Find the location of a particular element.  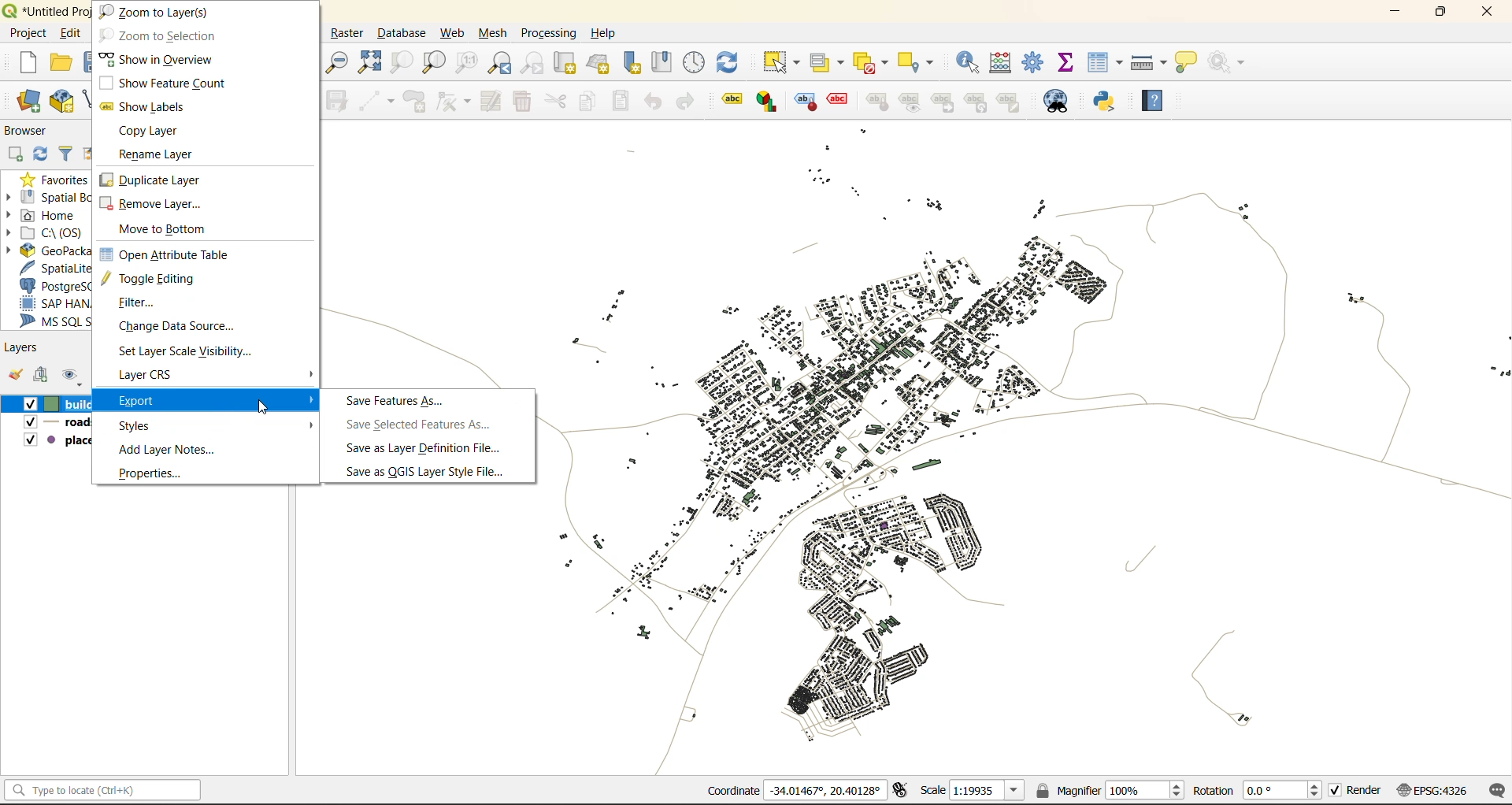

highlight pinned labels and diagrams is located at coordinates (805, 102).